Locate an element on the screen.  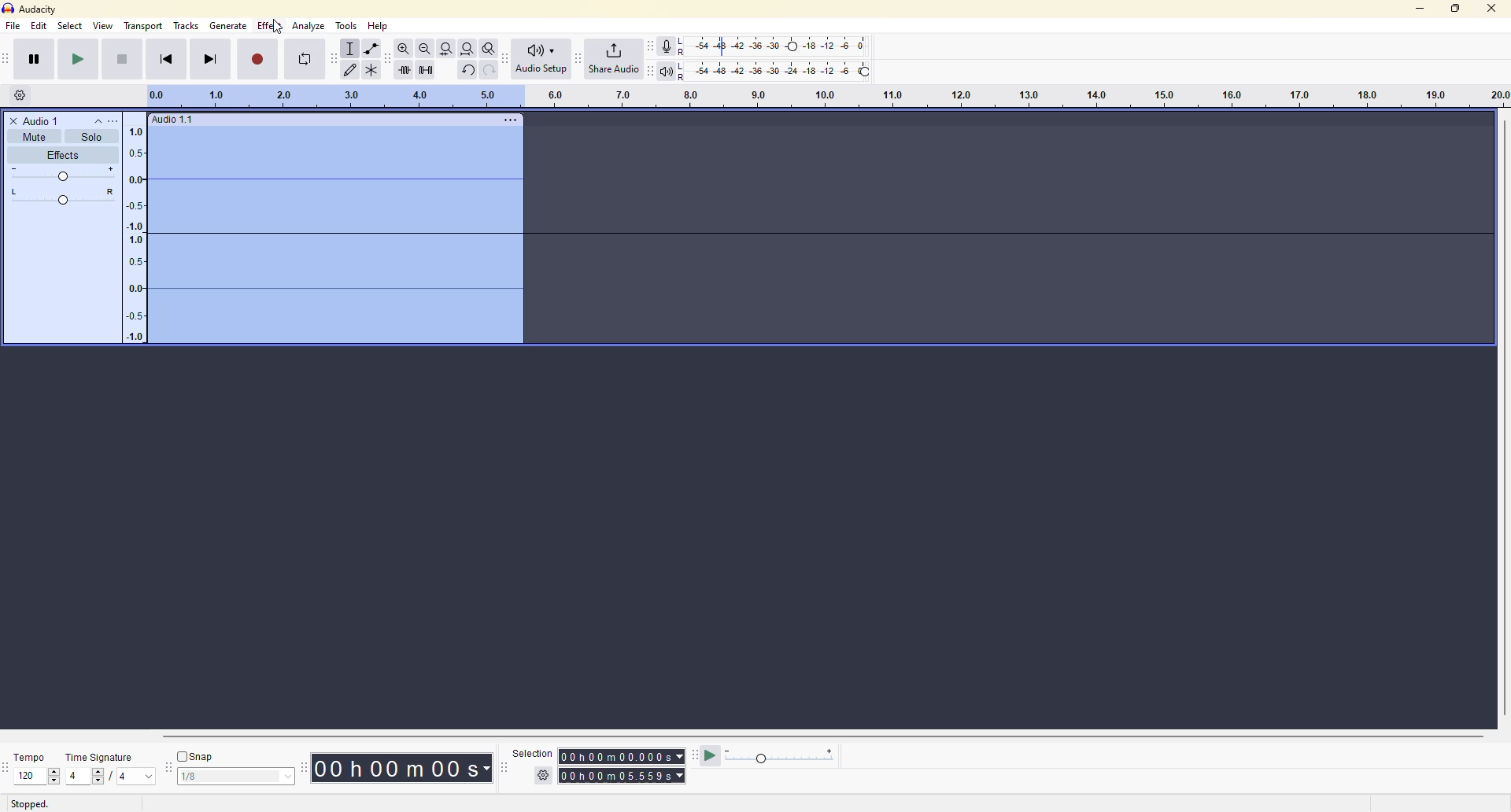
audio is located at coordinates (173, 120).